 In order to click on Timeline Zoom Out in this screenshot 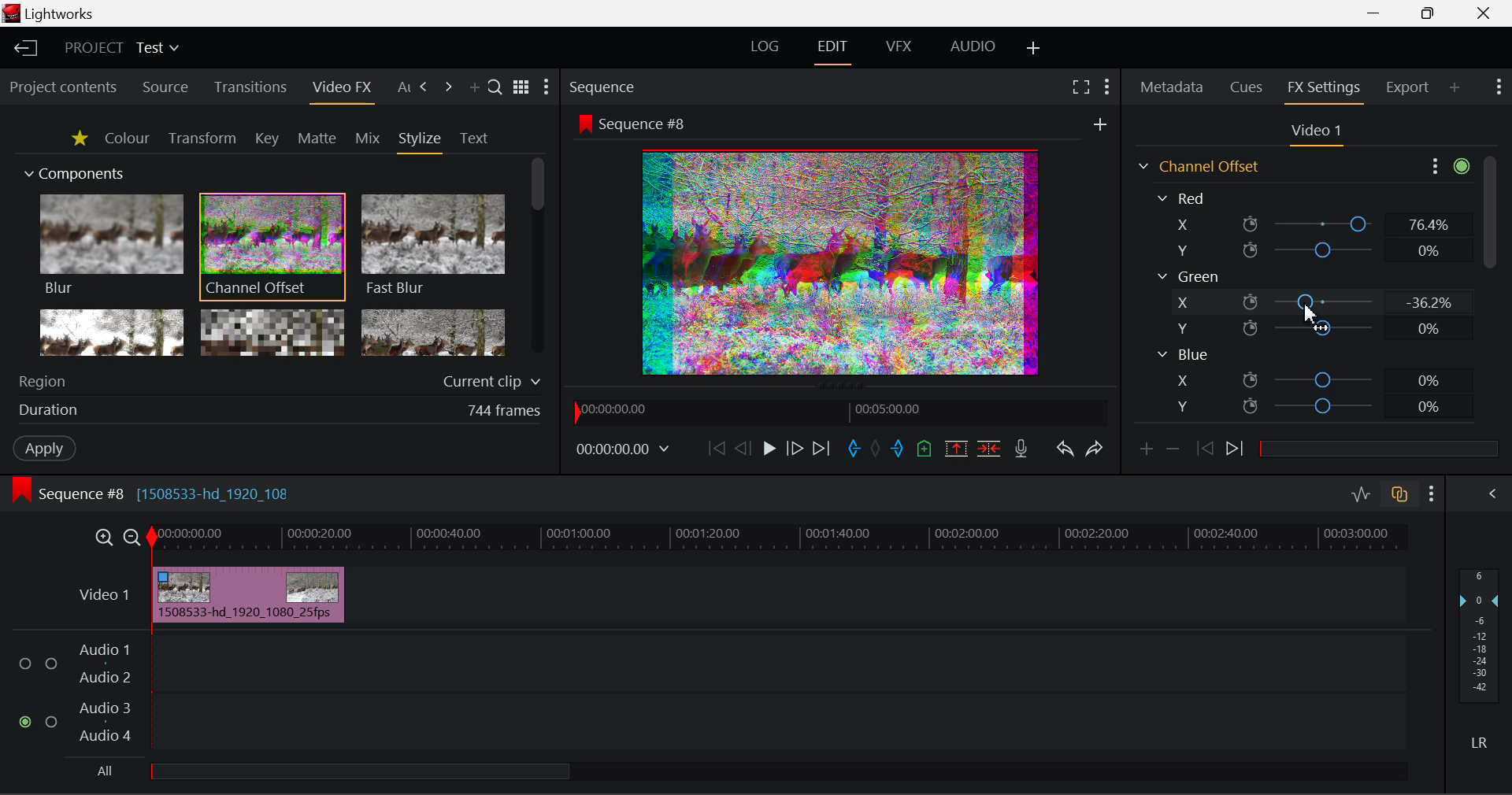, I will do `click(134, 539)`.